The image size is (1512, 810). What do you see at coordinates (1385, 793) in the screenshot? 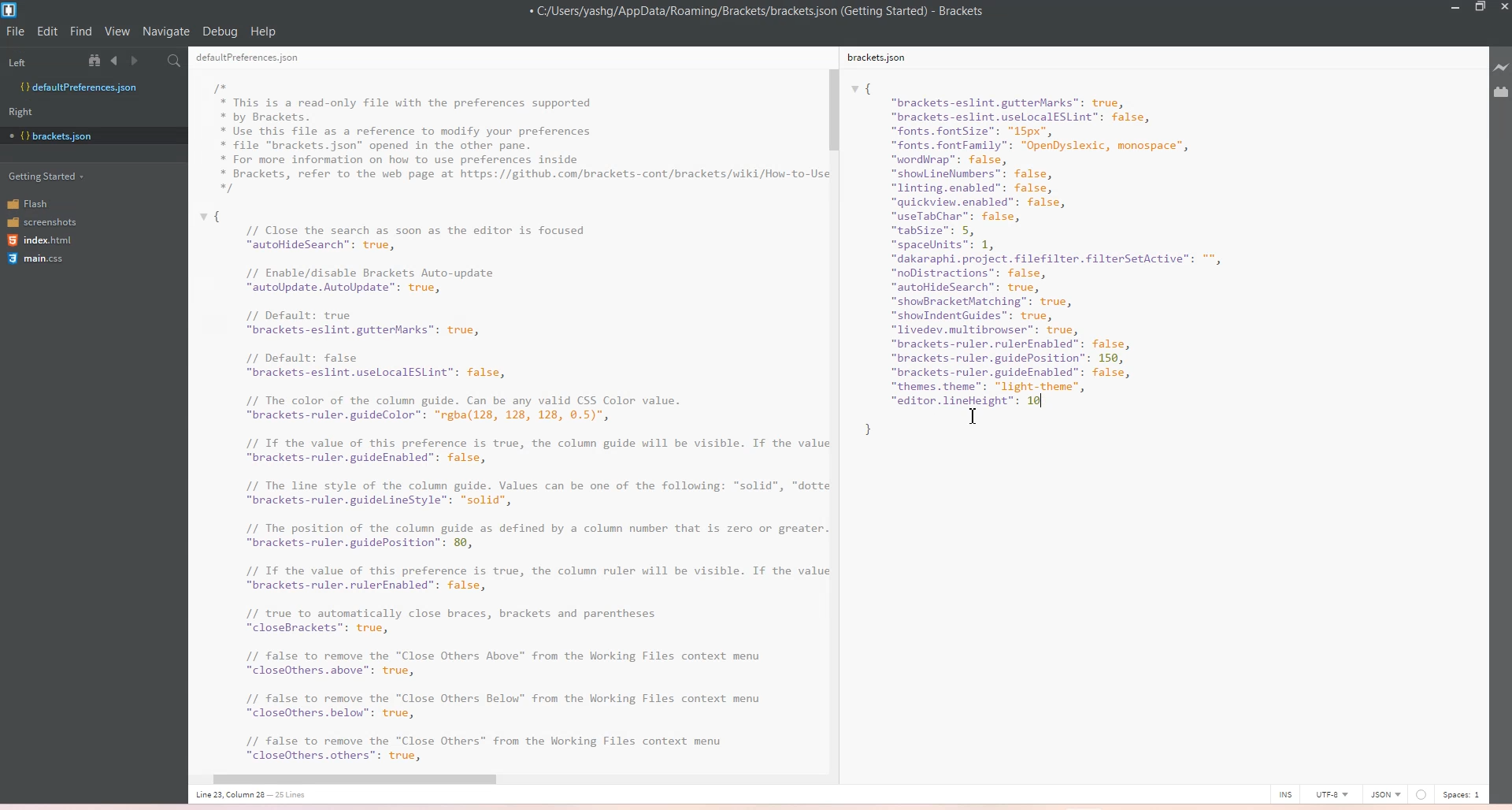
I see `JSON` at bounding box center [1385, 793].